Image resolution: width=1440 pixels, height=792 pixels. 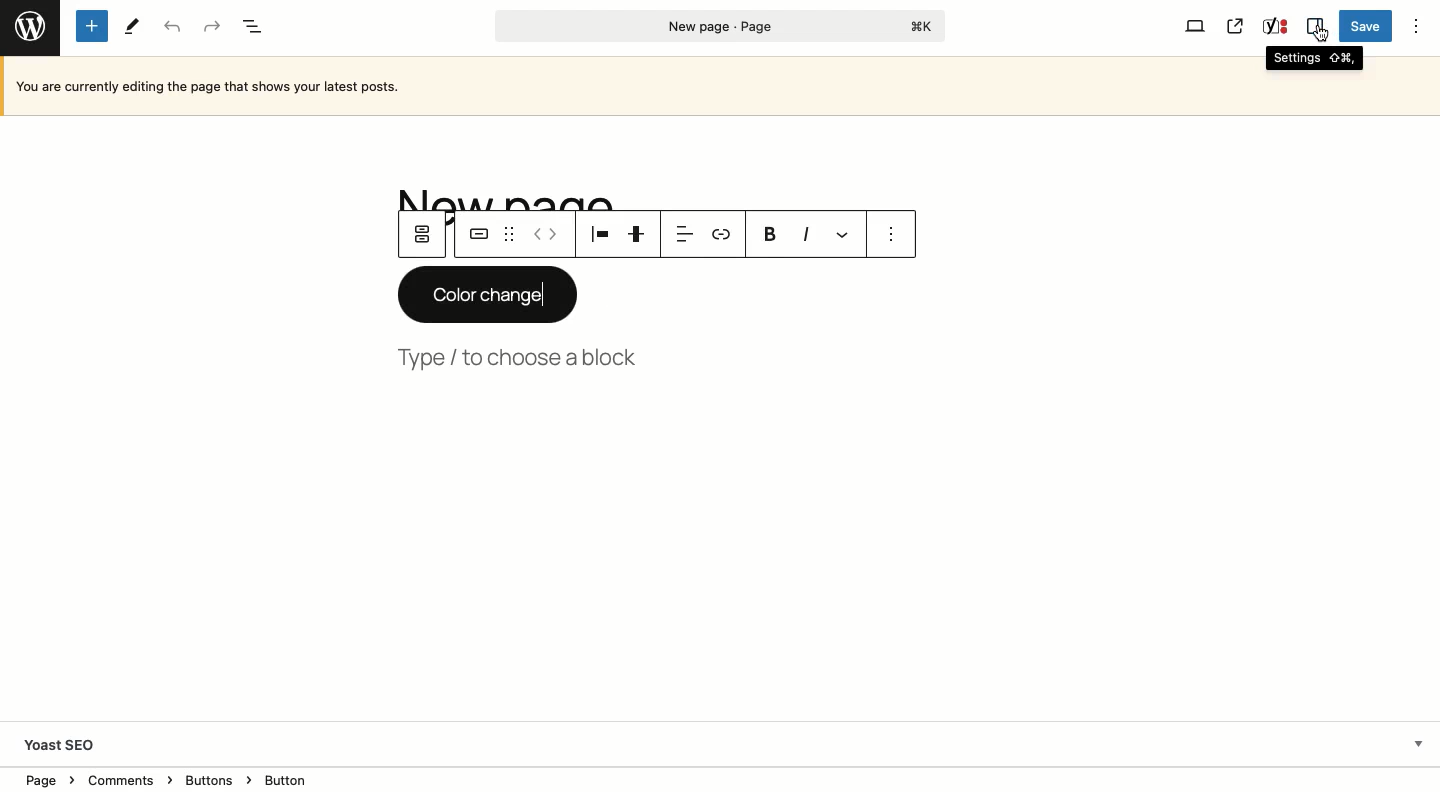 I want to click on Align, so click(x=683, y=233).